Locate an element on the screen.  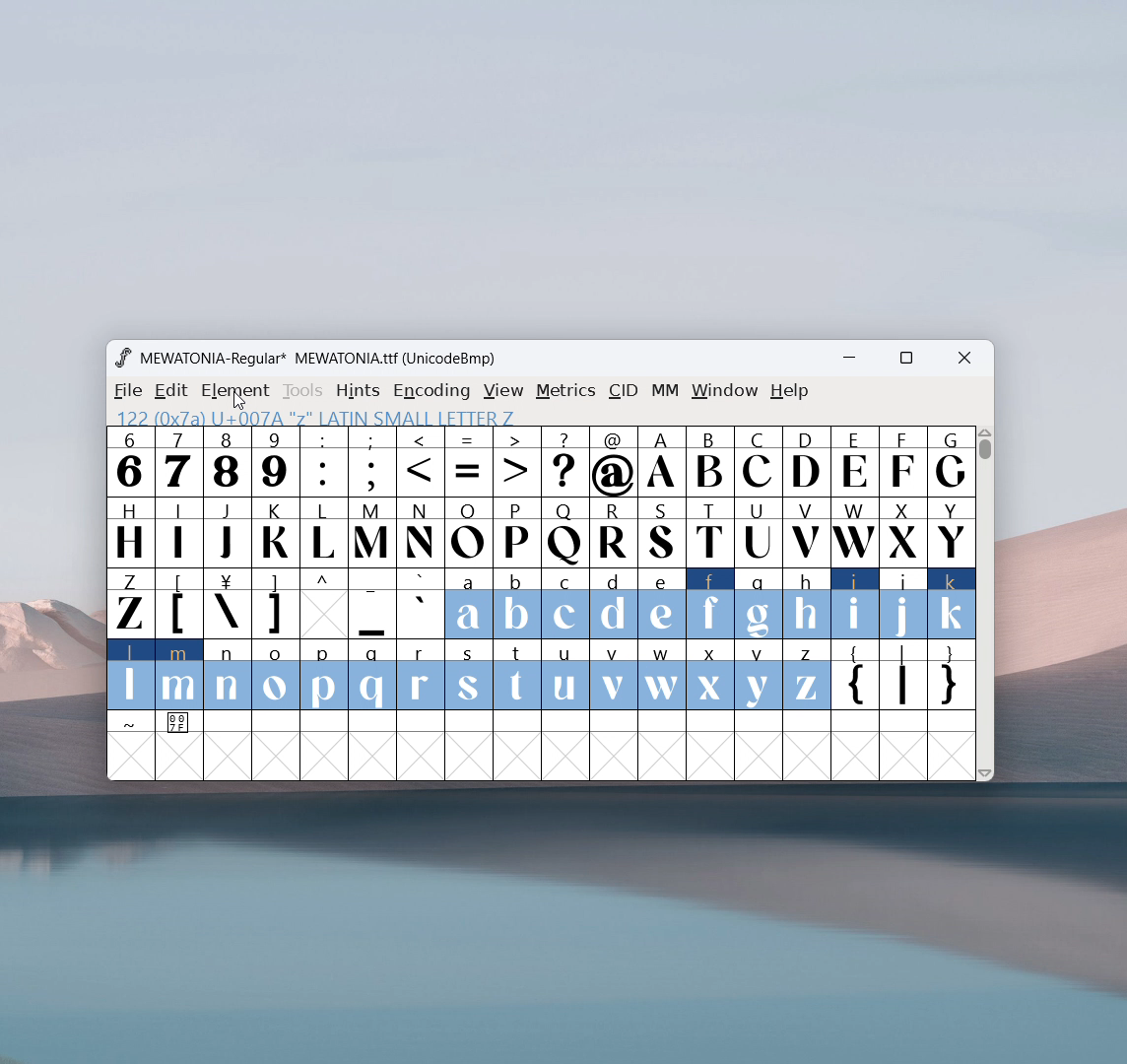
I is located at coordinates (178, 531).